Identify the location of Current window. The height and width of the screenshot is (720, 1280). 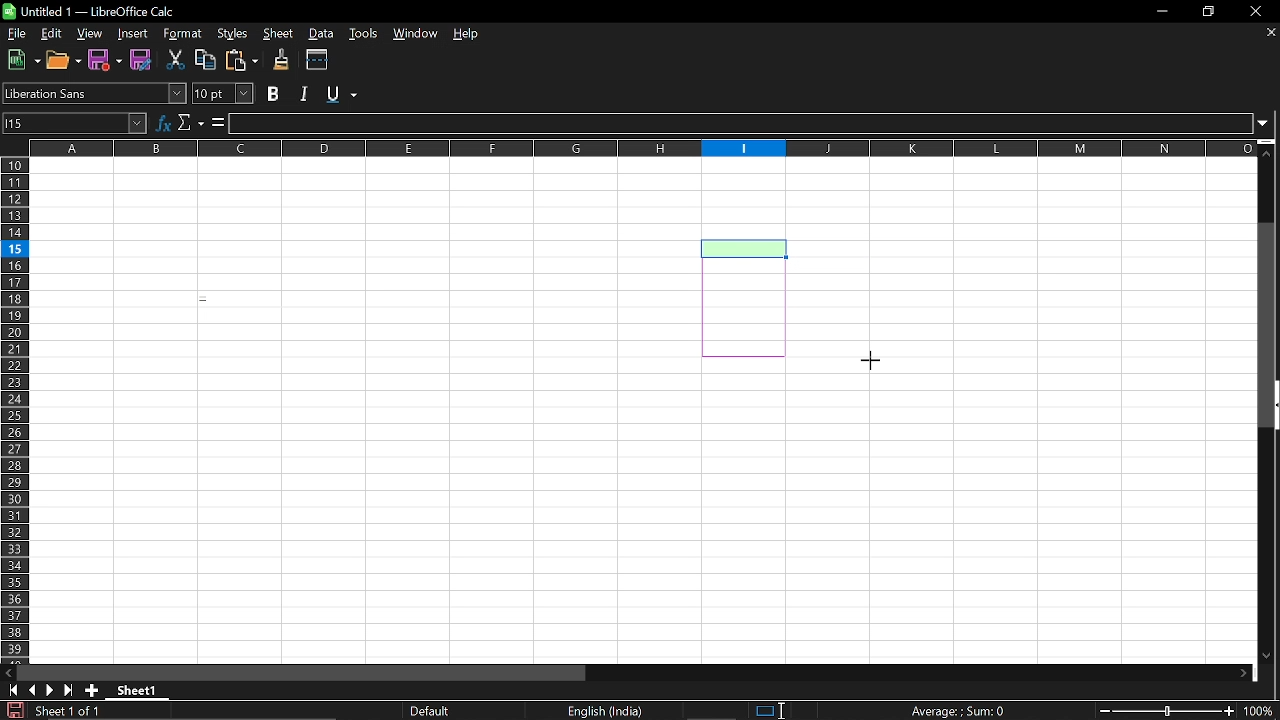
(99, 11).